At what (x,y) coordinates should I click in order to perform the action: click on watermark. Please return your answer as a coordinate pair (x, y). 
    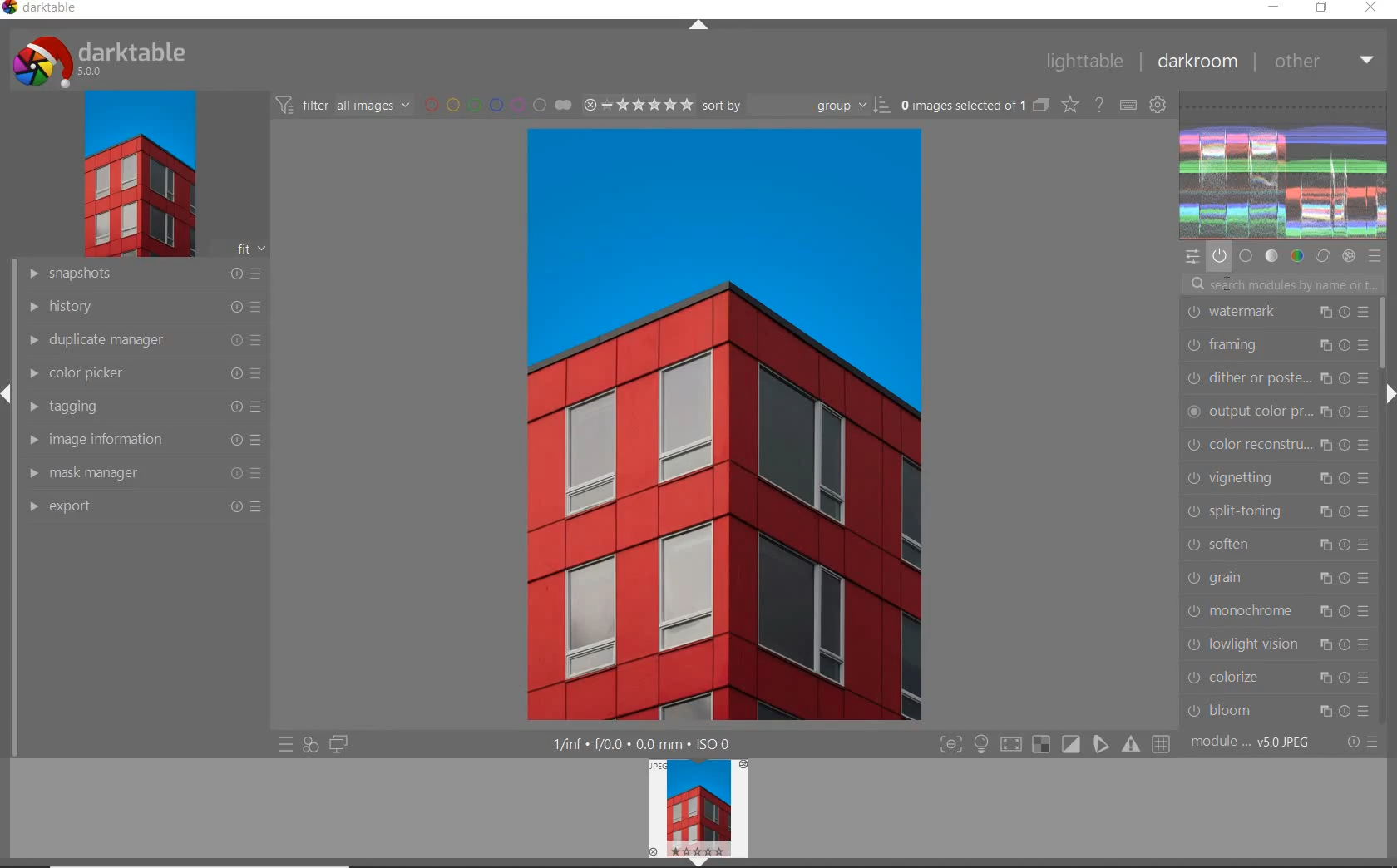
    Looking at the image, I should click on (1278, 313).